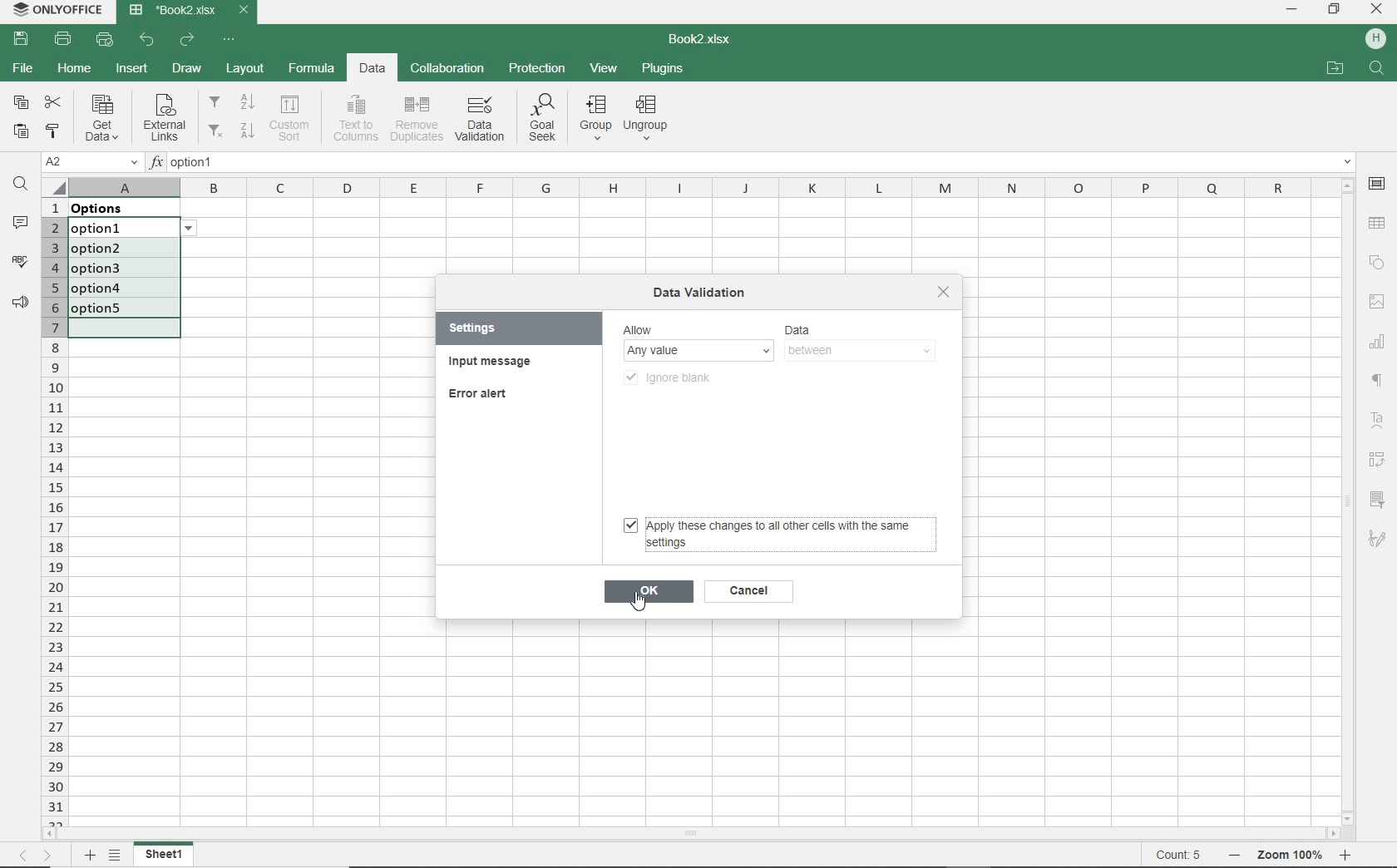 This screenshot has width=1397, height=868. Describe the element at coordinates (708, 40) in the screenshot. I see `DOCUMENT NAME` at that location.